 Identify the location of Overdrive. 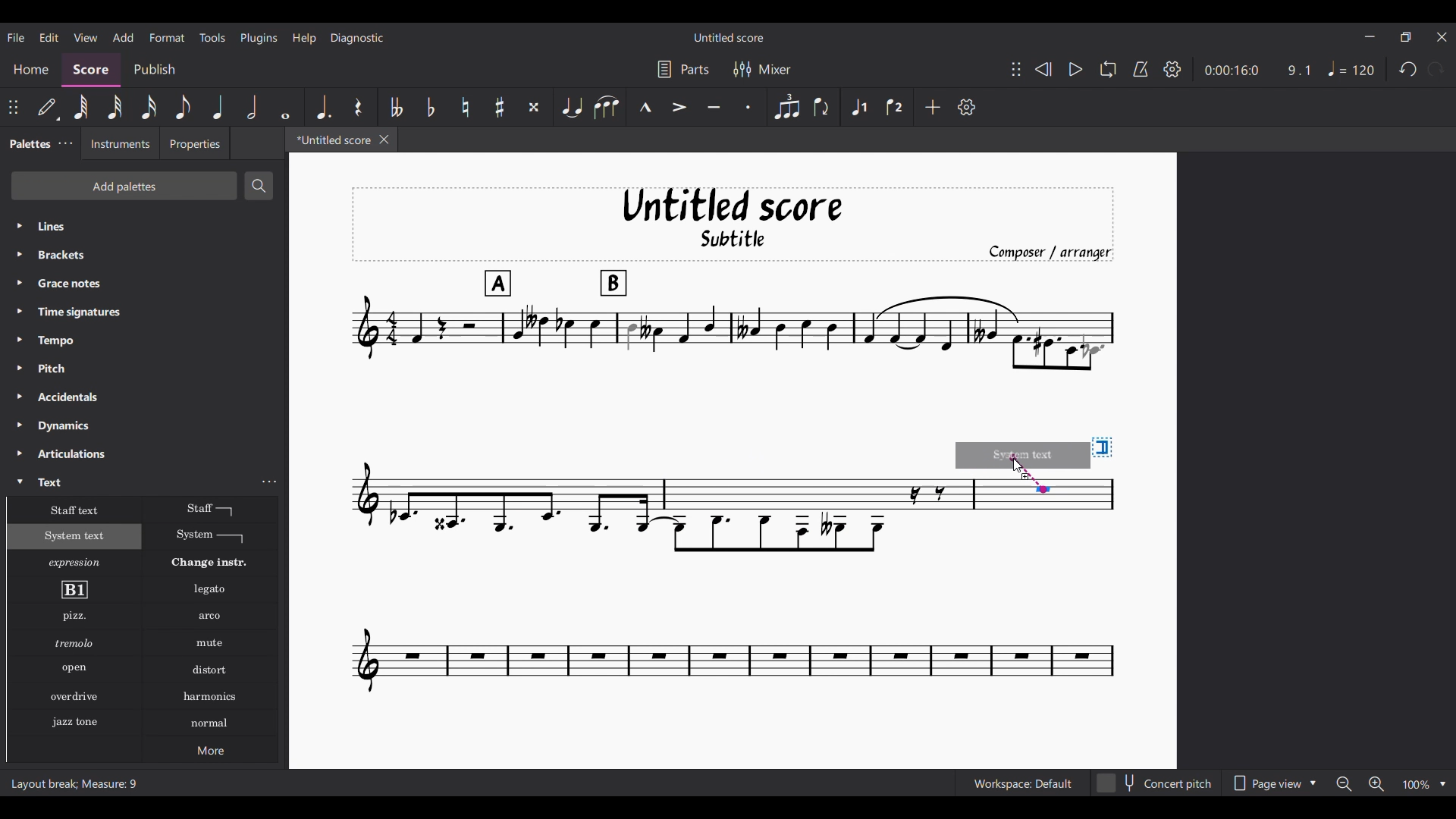
(74, 696).